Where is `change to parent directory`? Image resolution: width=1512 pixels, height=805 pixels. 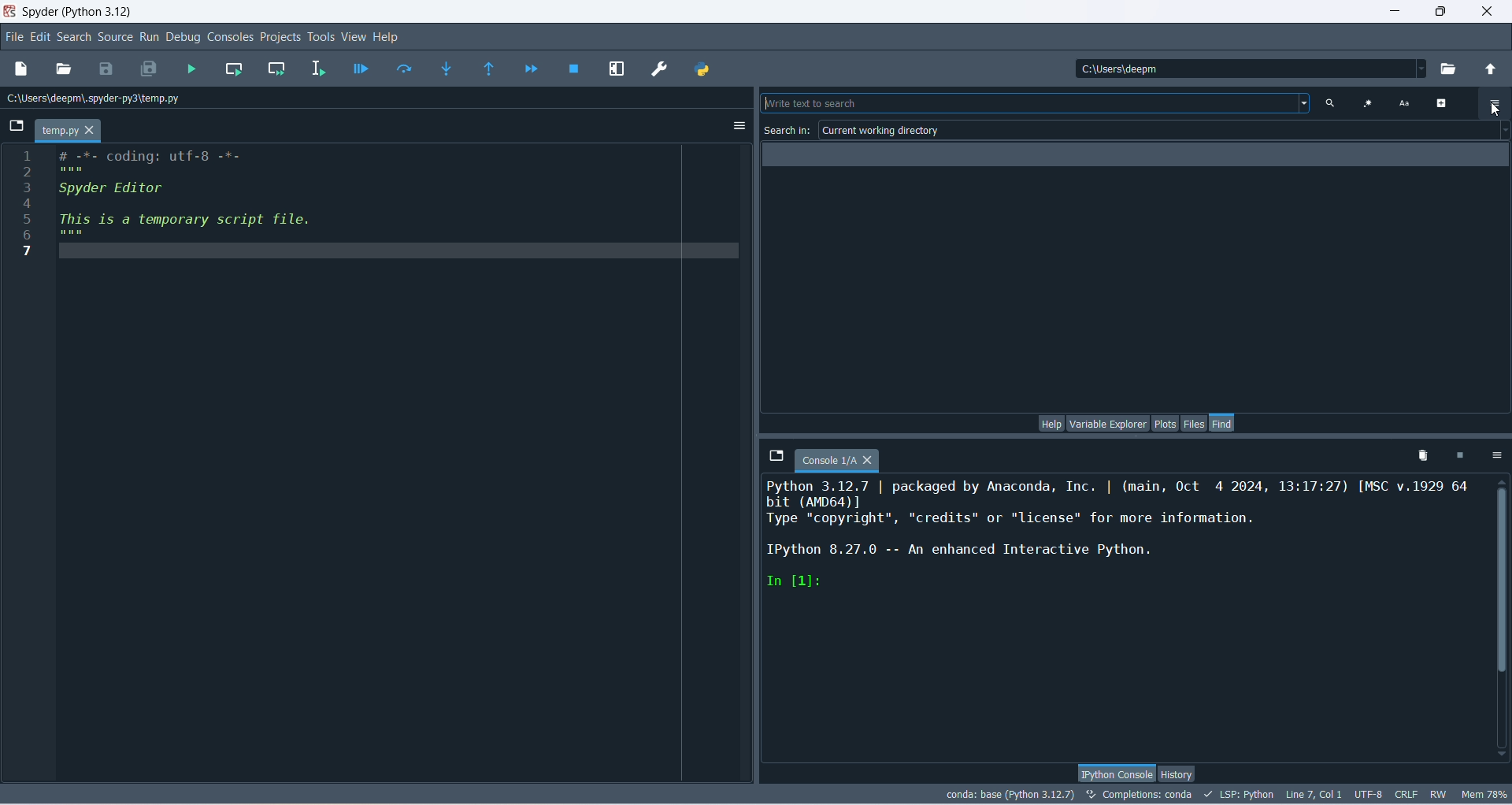 change to parent directory is located at coordinates (1491, 71).